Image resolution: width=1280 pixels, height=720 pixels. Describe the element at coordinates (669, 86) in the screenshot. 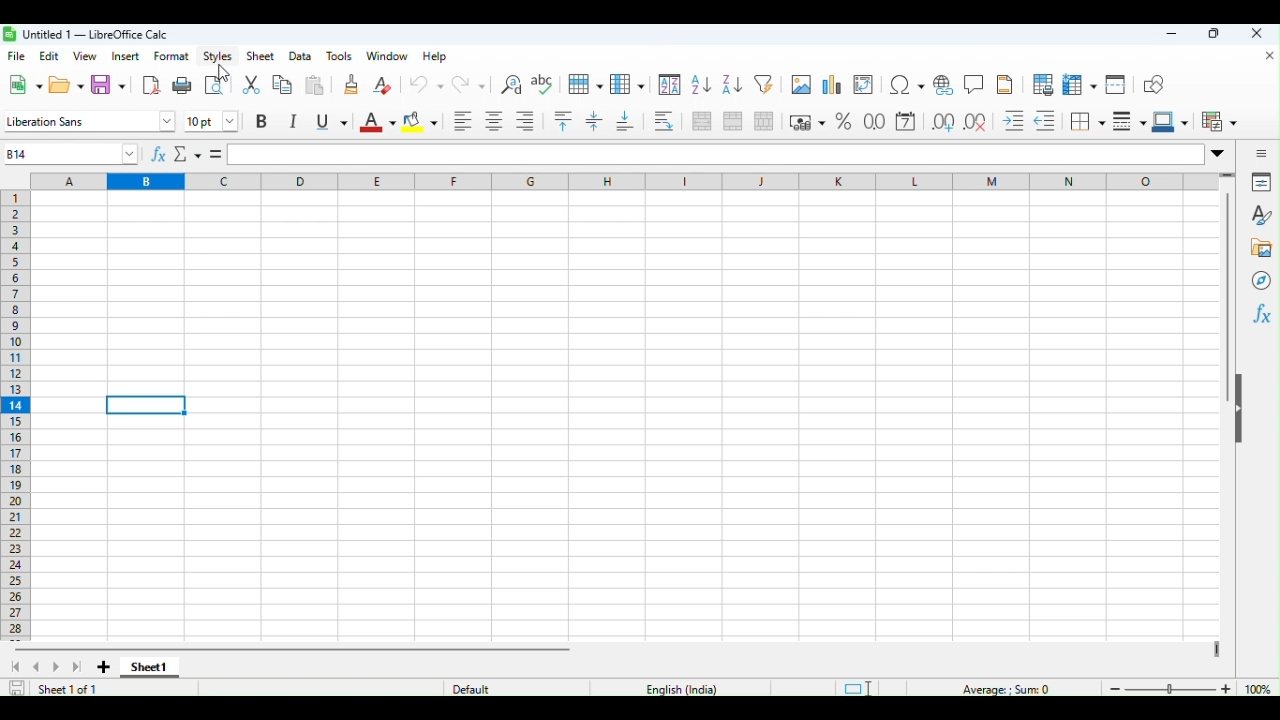

I see `Sort ` at that location.